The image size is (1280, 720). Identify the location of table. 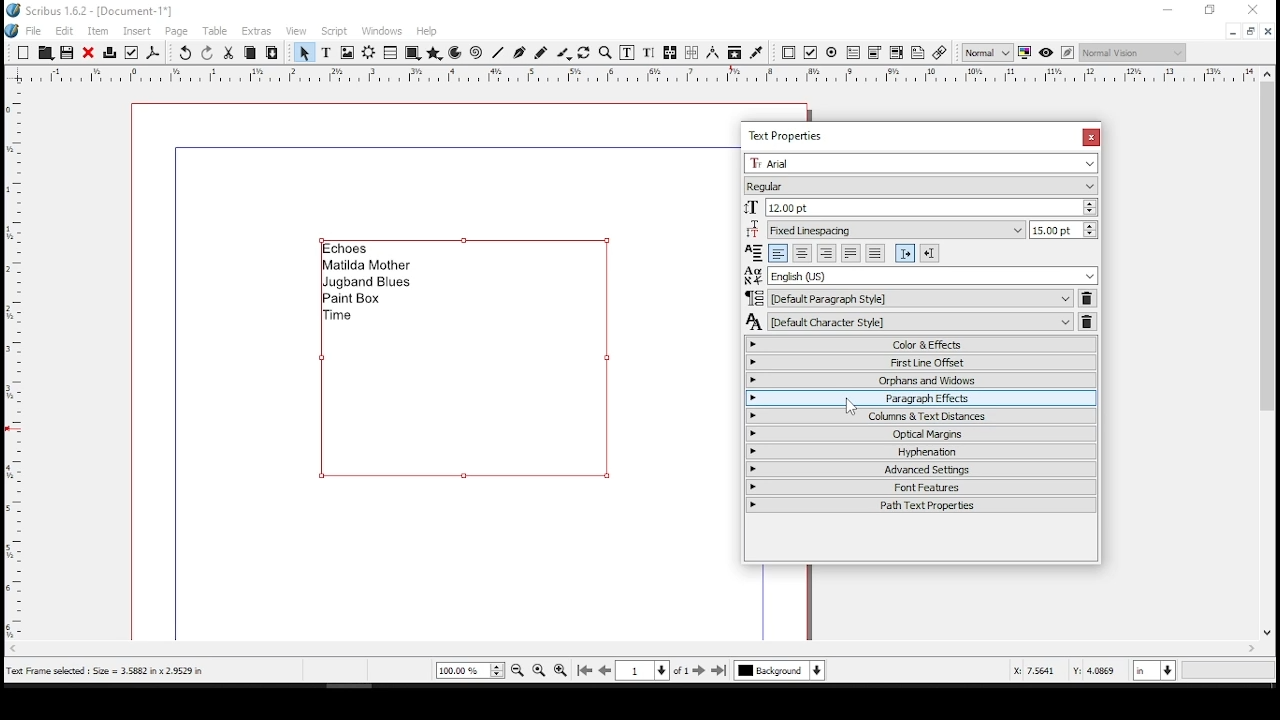
(390, 53).